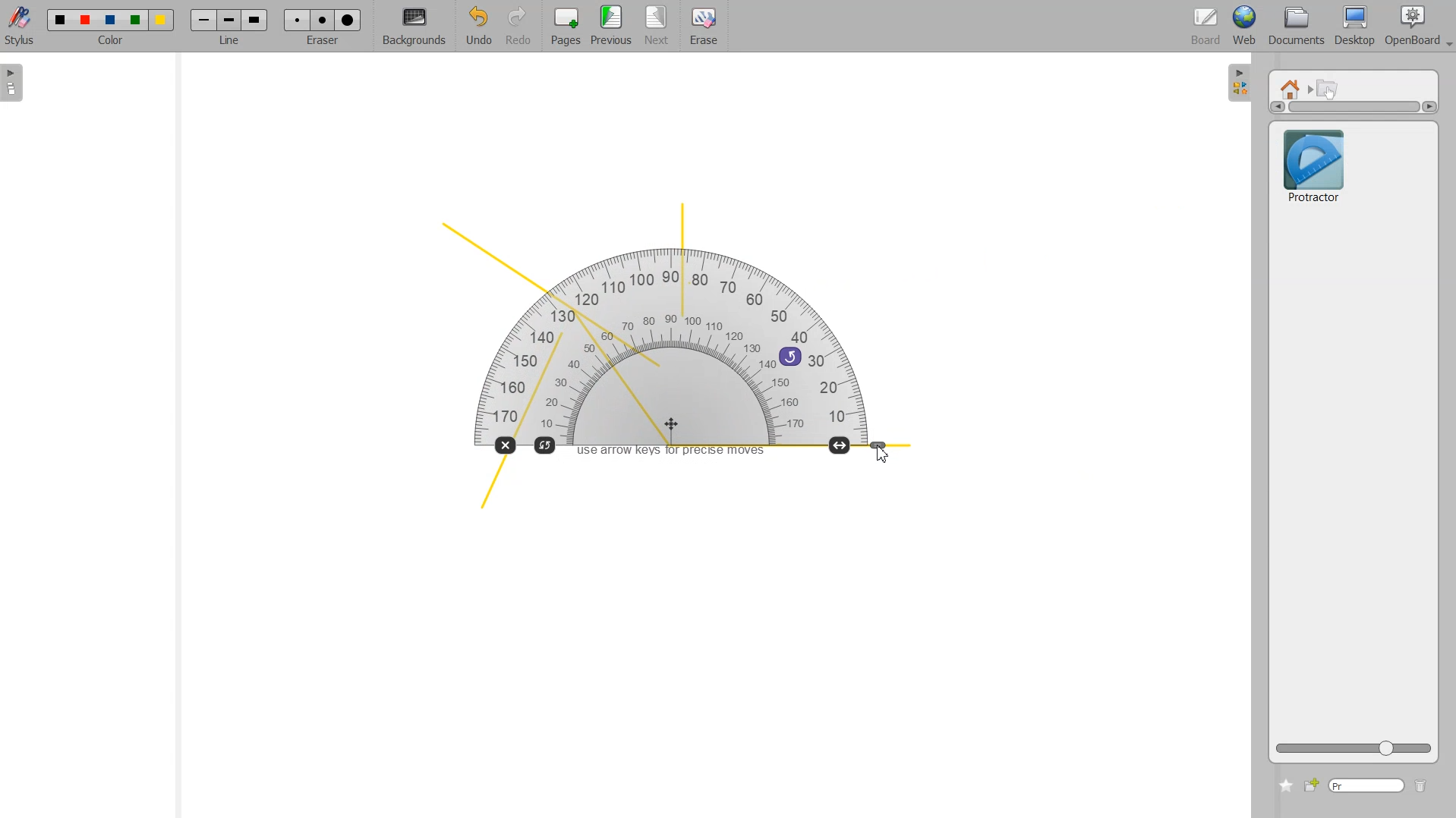  What do you see at coordinates (1354, 107) in the screenshot?
I see `Vertical scrollbar` at bounding box center [1354, 107].